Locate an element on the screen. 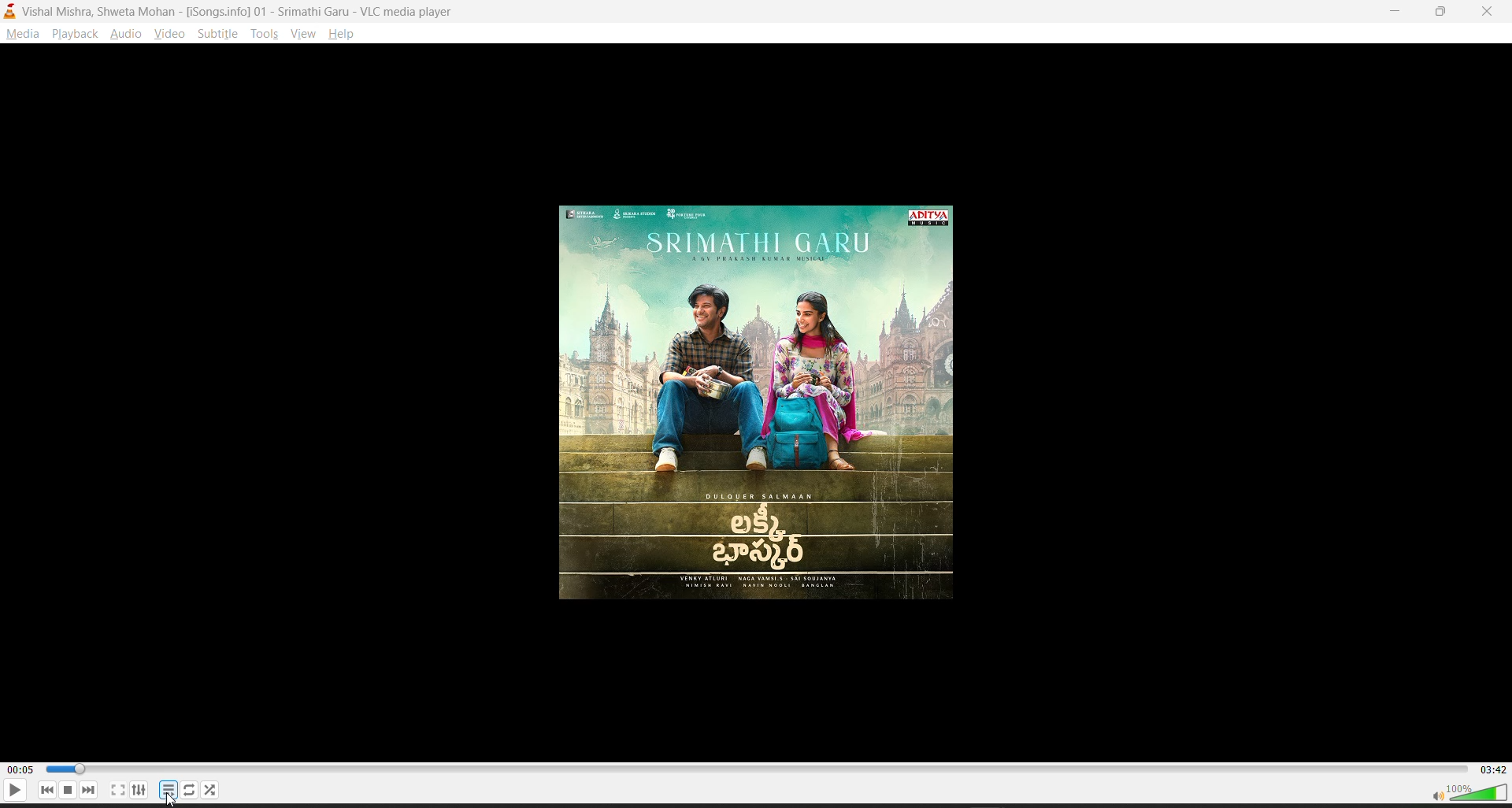 The height and width of the screenshot is (808, 1512). view is located at coordinates (300, 34).